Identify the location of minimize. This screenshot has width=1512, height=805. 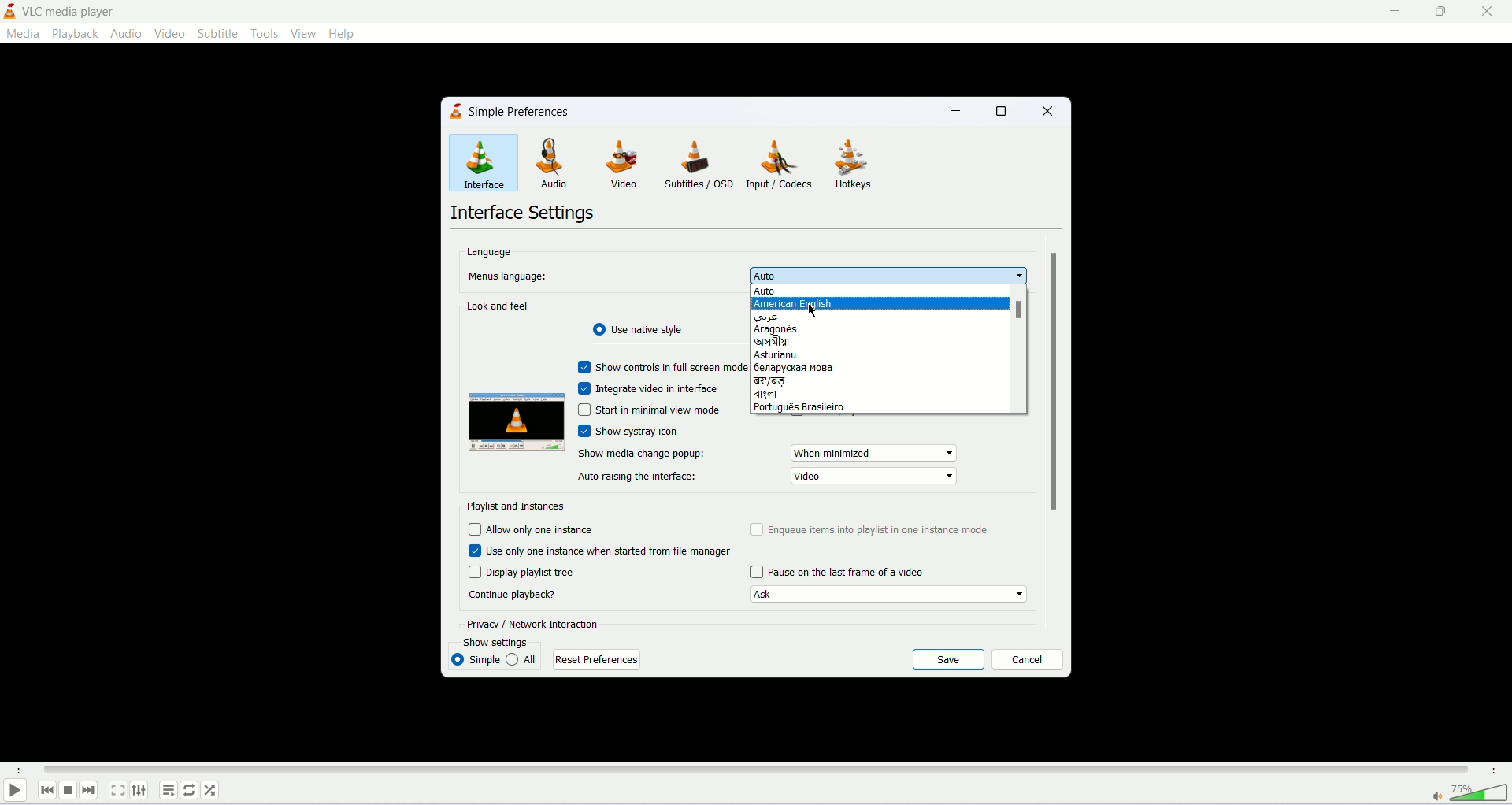
(959, 113).